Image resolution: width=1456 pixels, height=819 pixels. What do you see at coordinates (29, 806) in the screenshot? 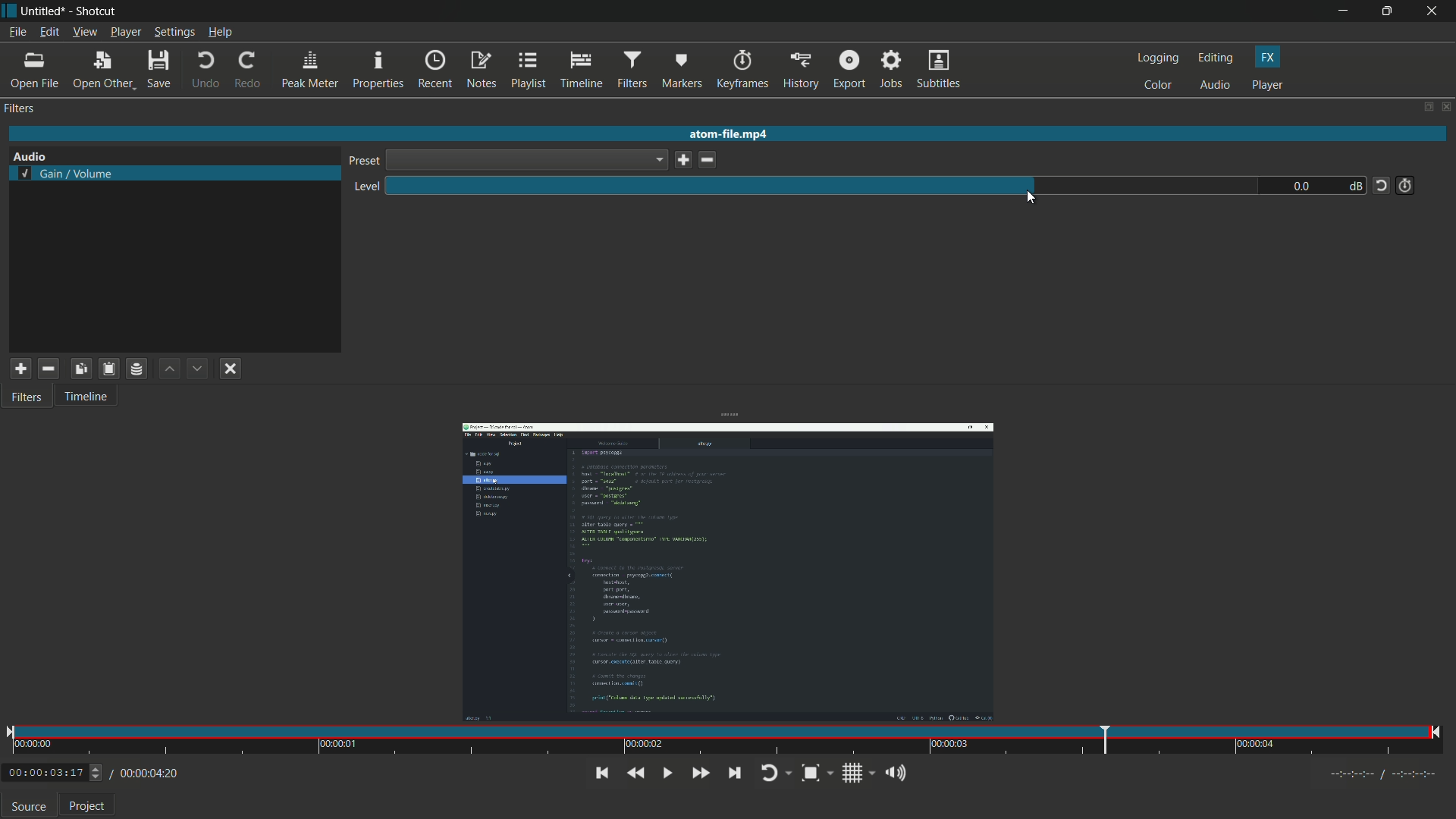
I see `source` at bounding box center [29, 806].